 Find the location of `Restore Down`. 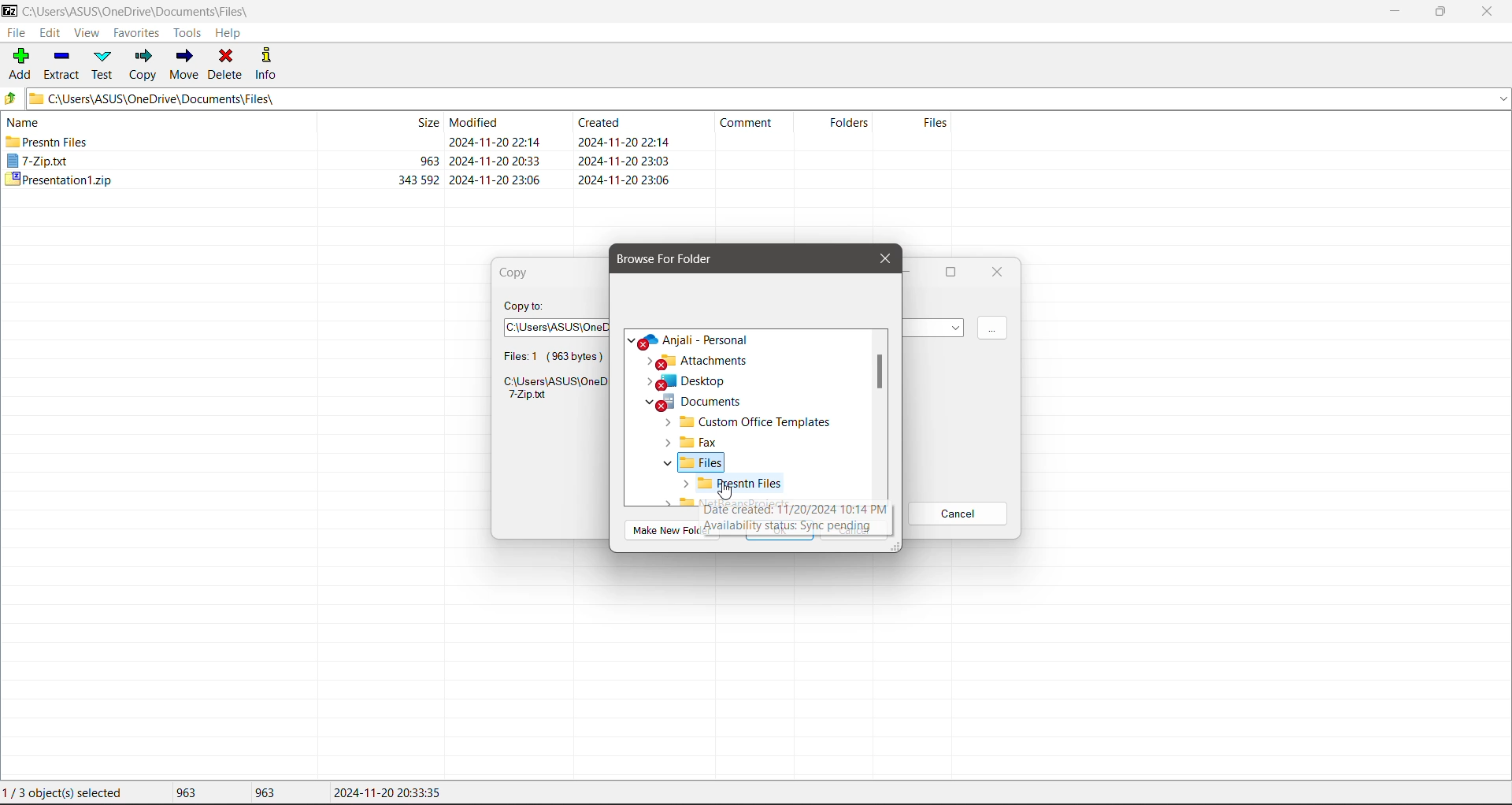

Restore Down is located at coordinates (1442, 12).